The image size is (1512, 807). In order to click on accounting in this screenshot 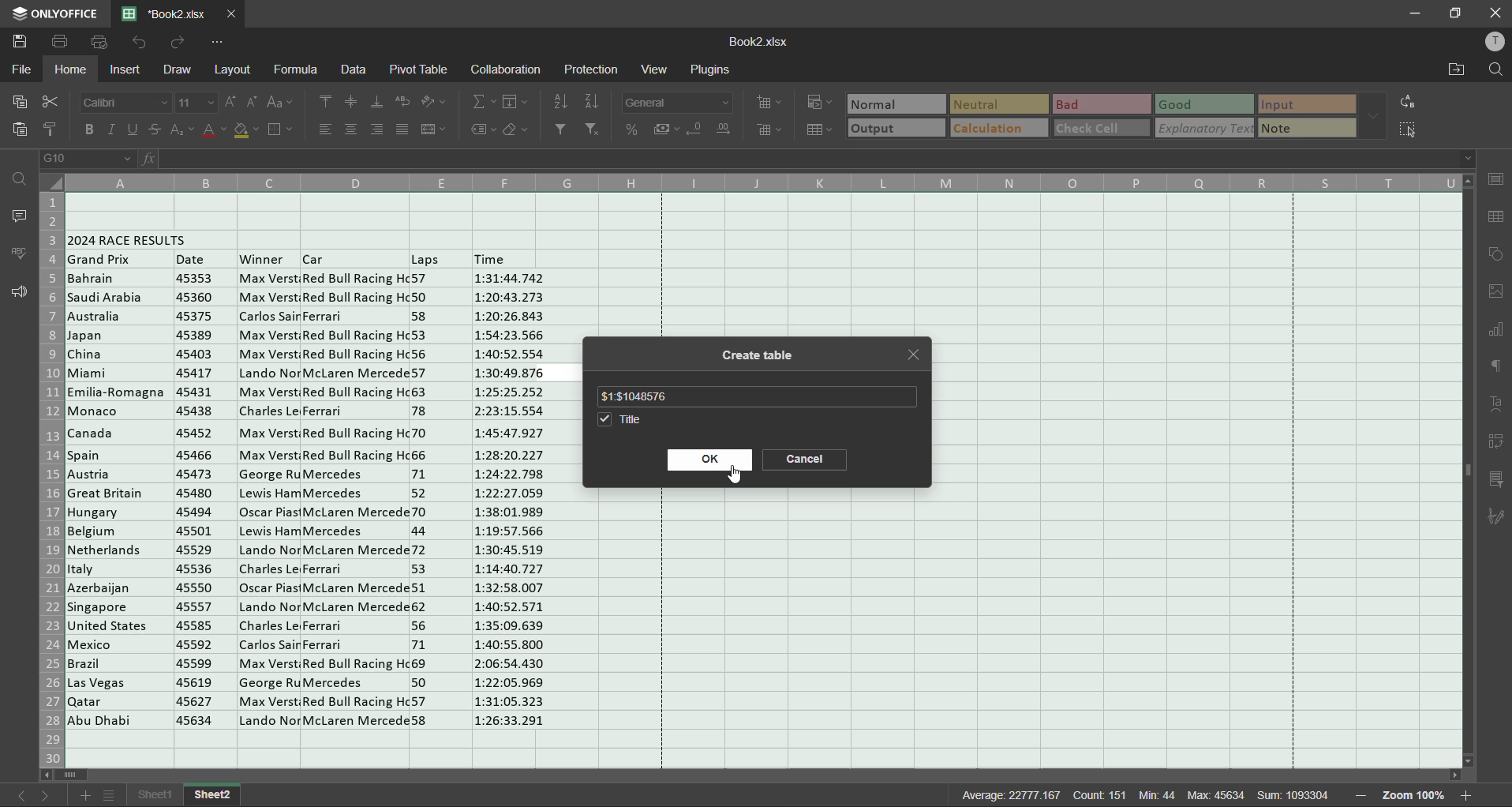, I will do `click(668, 128)`.